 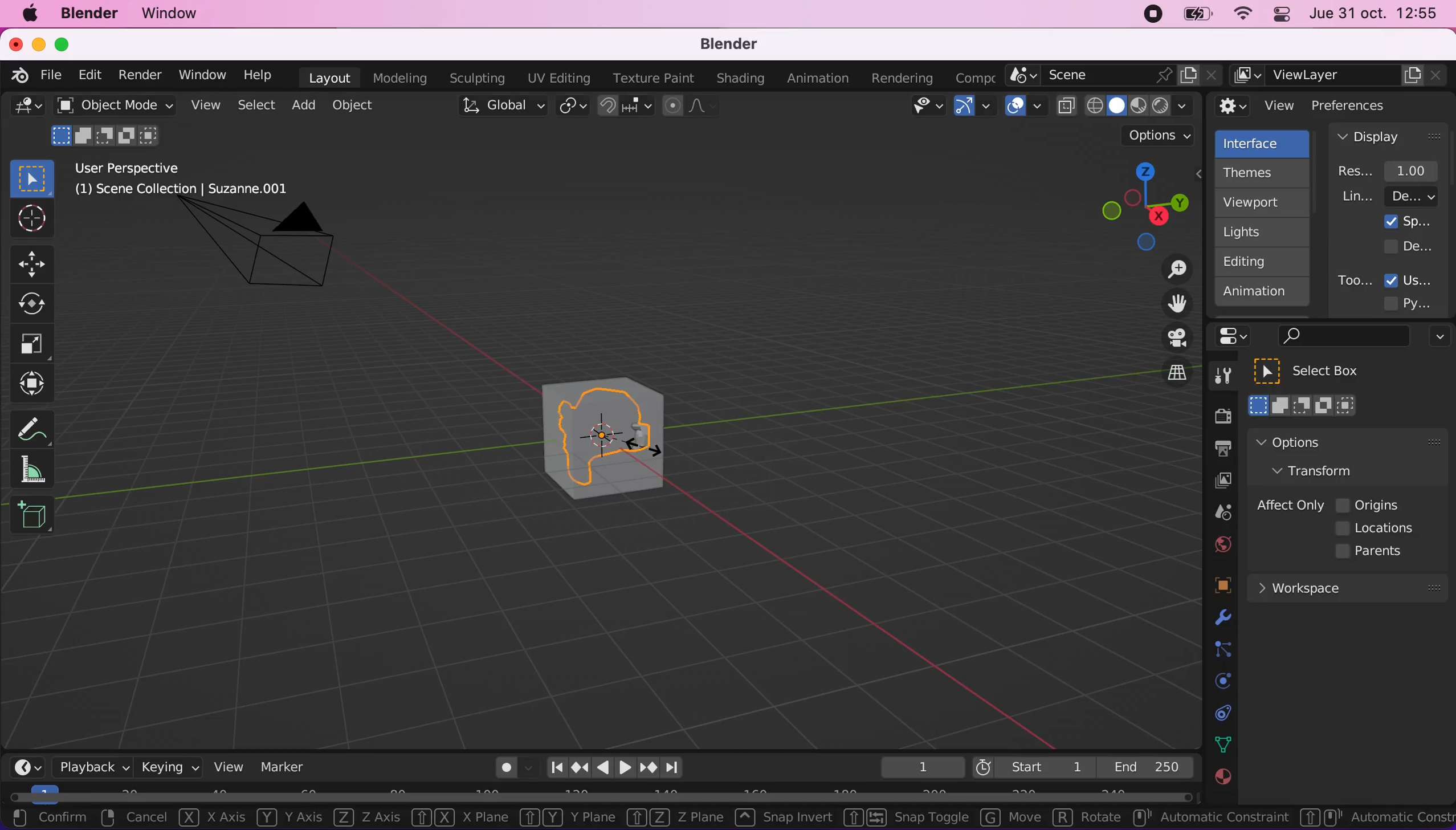 I want to click on transform pivot point, so click(x=574, y=107).